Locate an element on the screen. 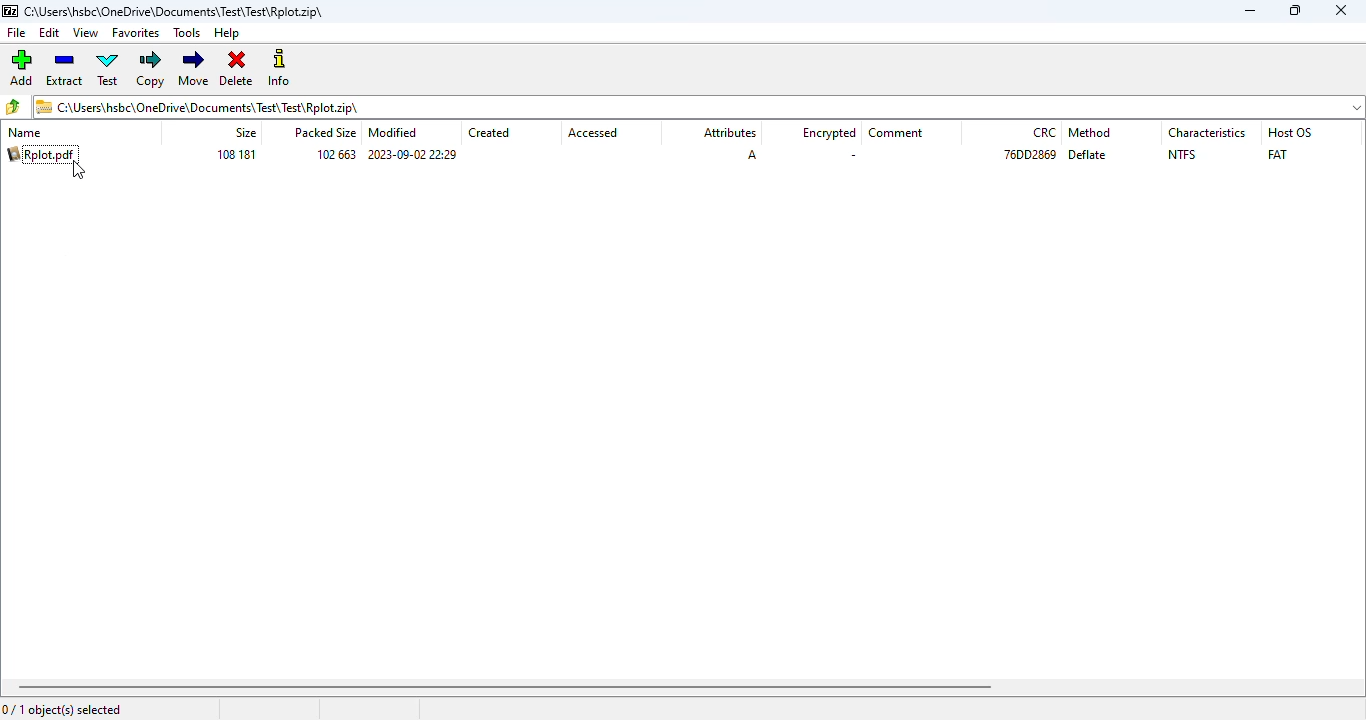  help is located at coordinates (228, 33).